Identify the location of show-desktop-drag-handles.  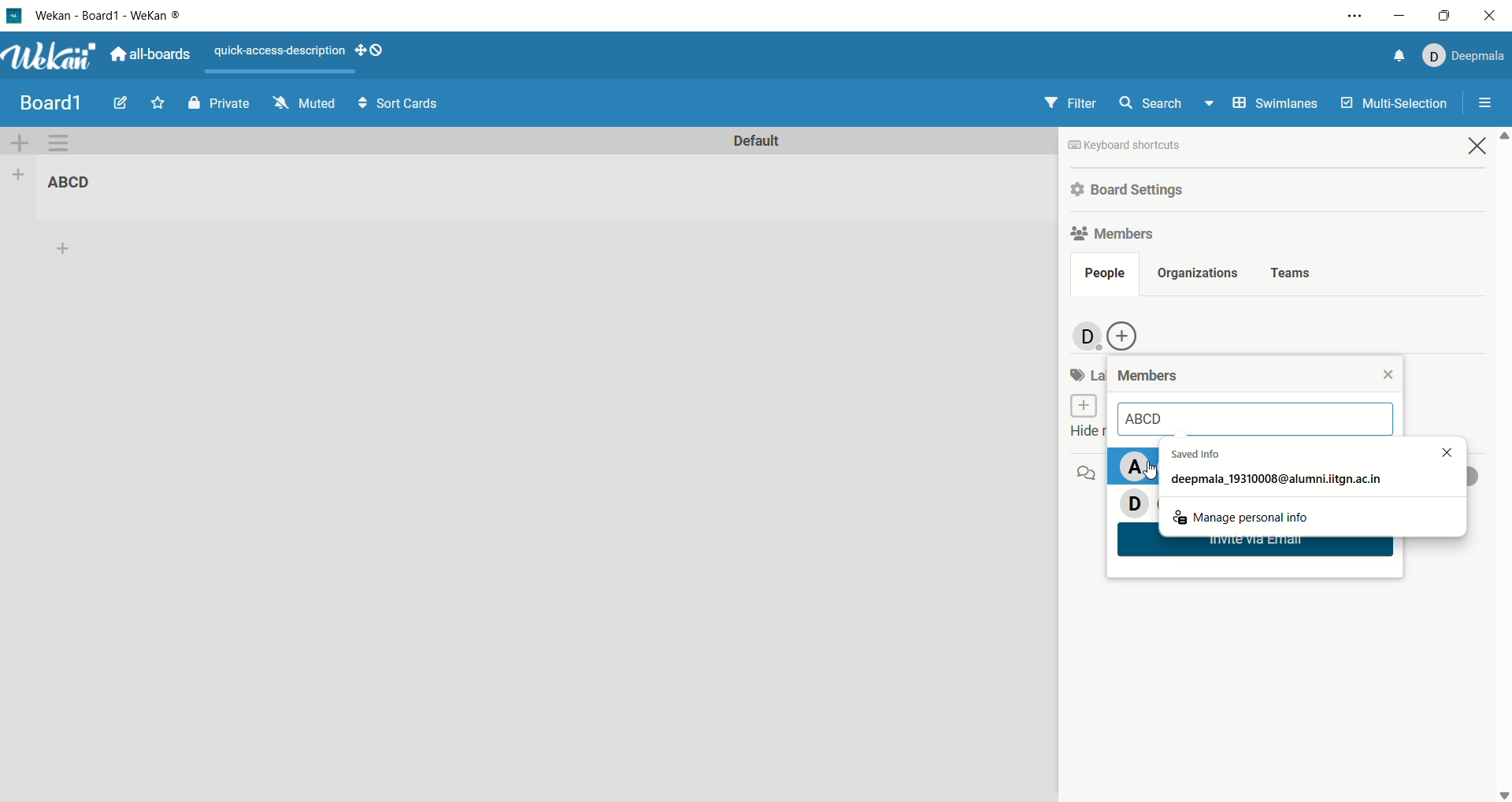
(361, 52).